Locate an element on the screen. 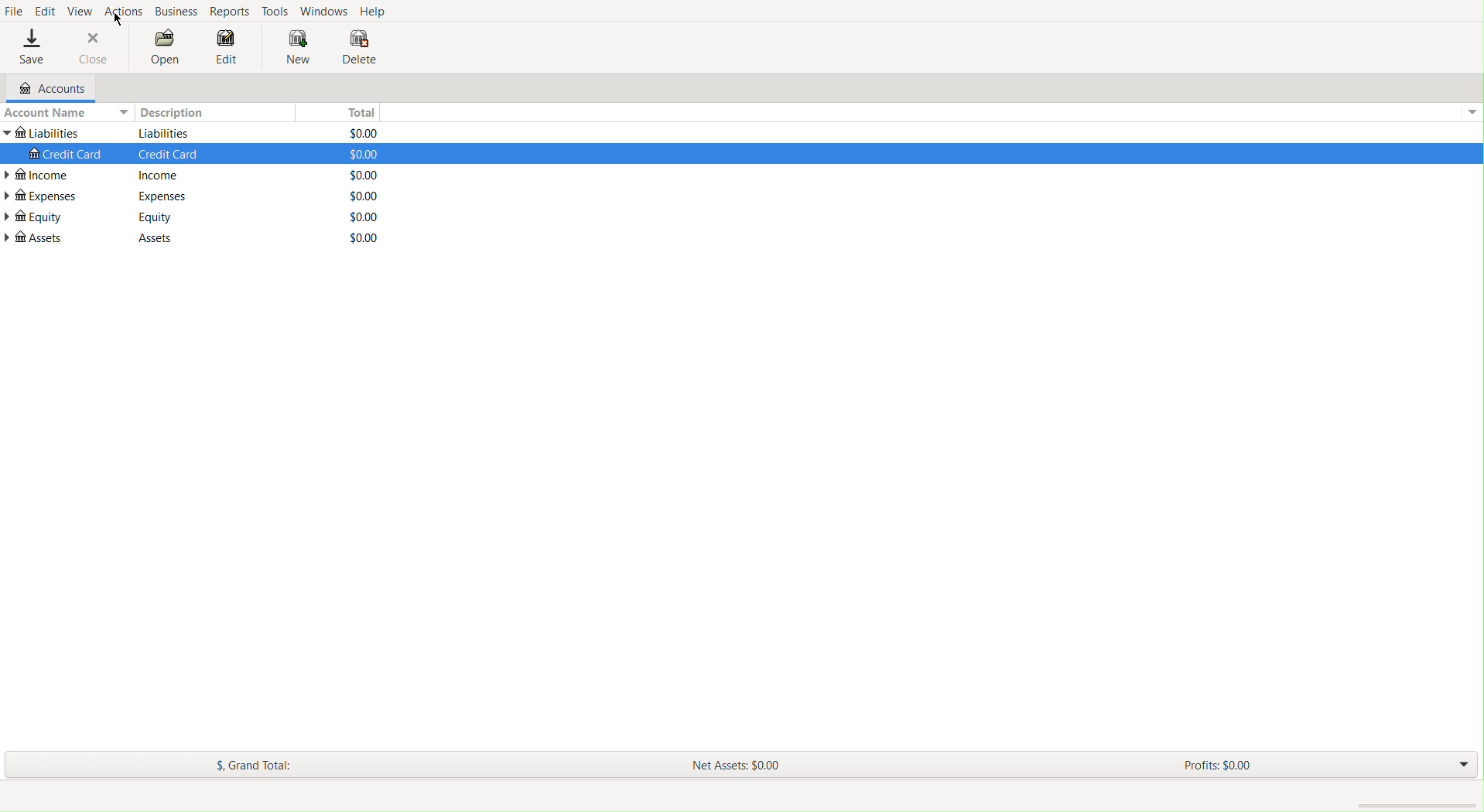 This screenshot has width=1484, height=812. Description is located at coordinates (166, 133).